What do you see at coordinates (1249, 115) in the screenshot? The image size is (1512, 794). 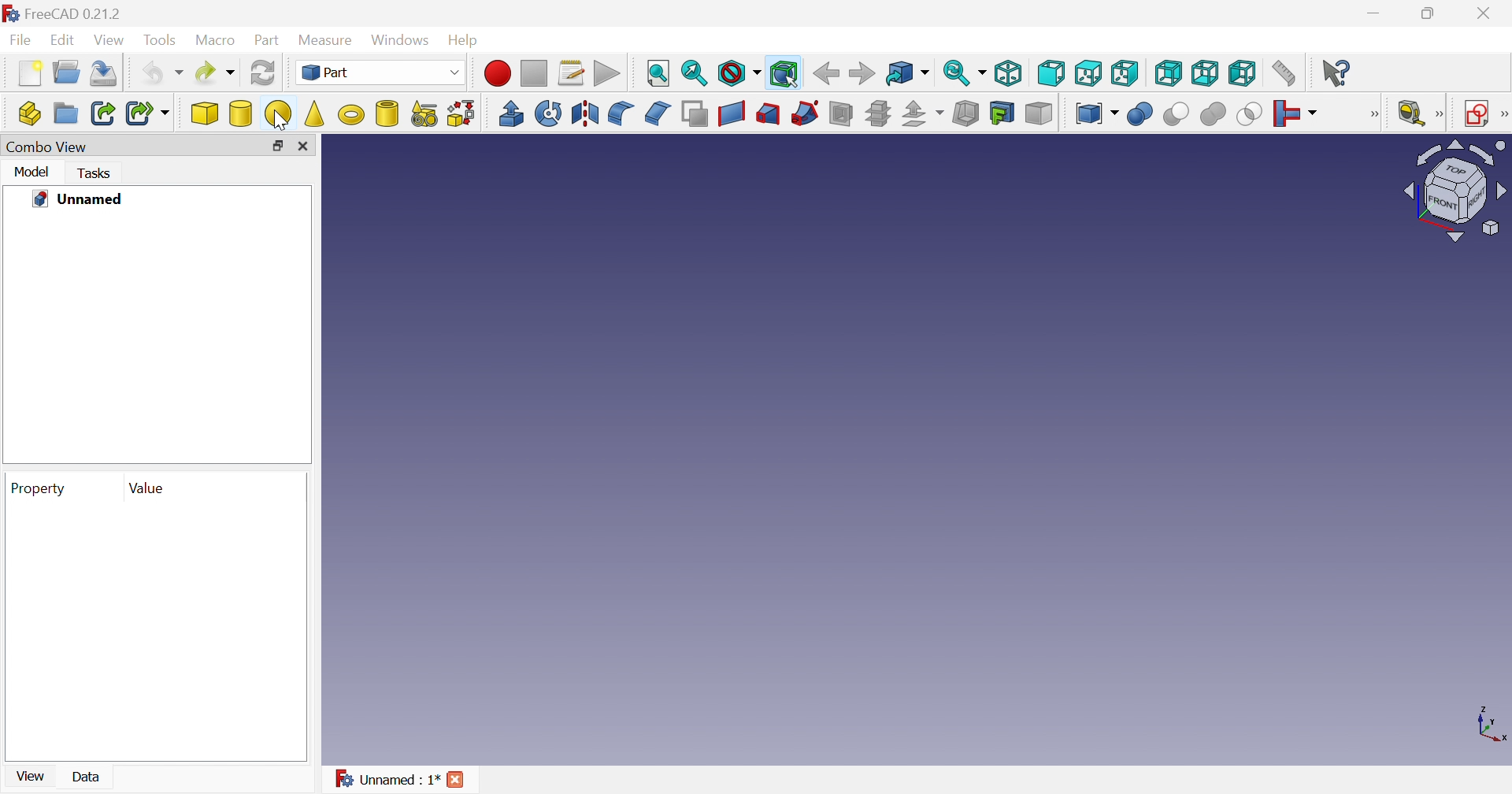 I see `Intersection` at bounding box center [1249, 115].